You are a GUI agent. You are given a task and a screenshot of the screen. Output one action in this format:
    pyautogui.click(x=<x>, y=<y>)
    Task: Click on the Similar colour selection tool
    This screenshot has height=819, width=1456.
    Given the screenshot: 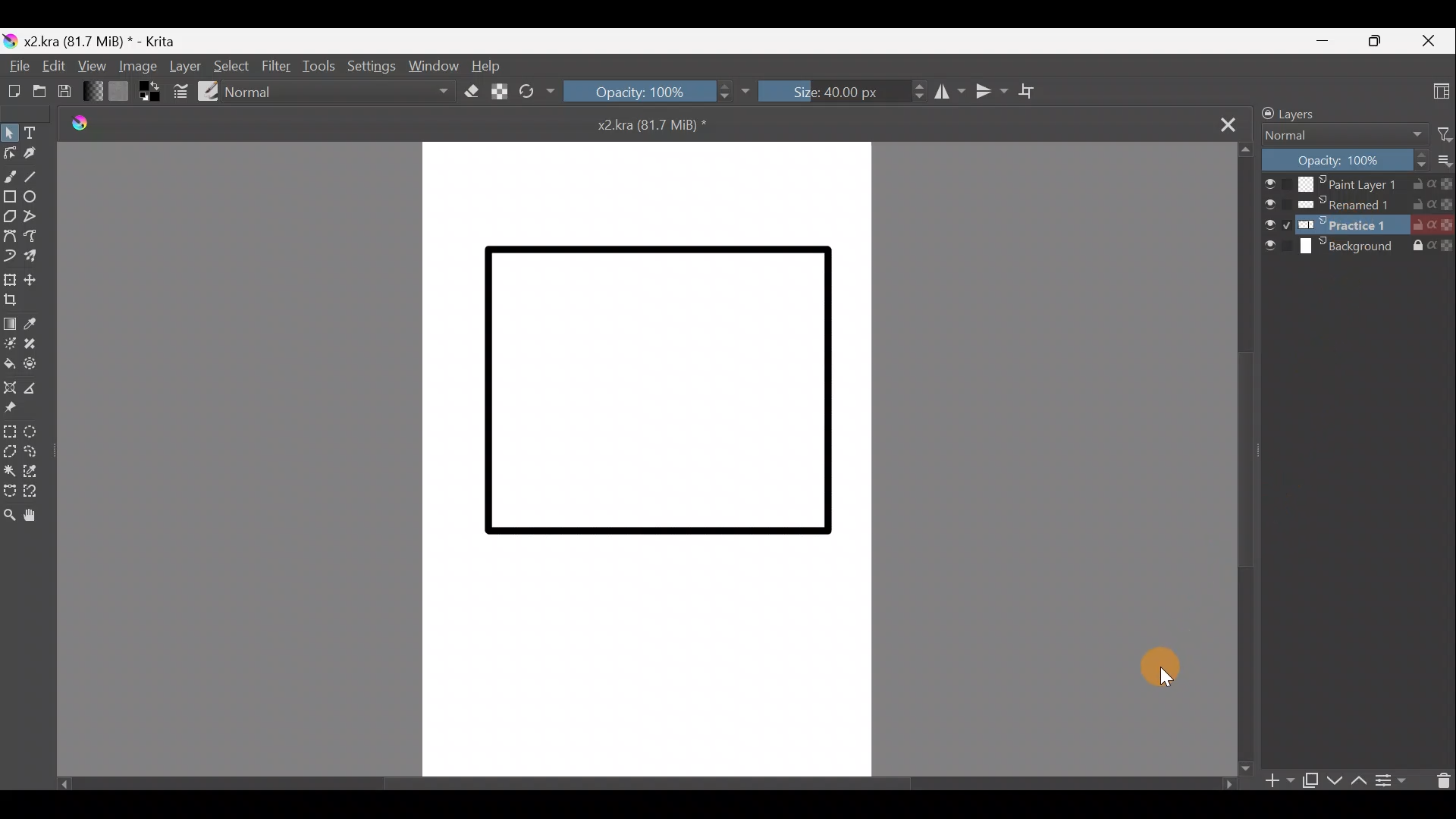 What is the action you would take?
    pyautogui.click(x=33, y=472)
    